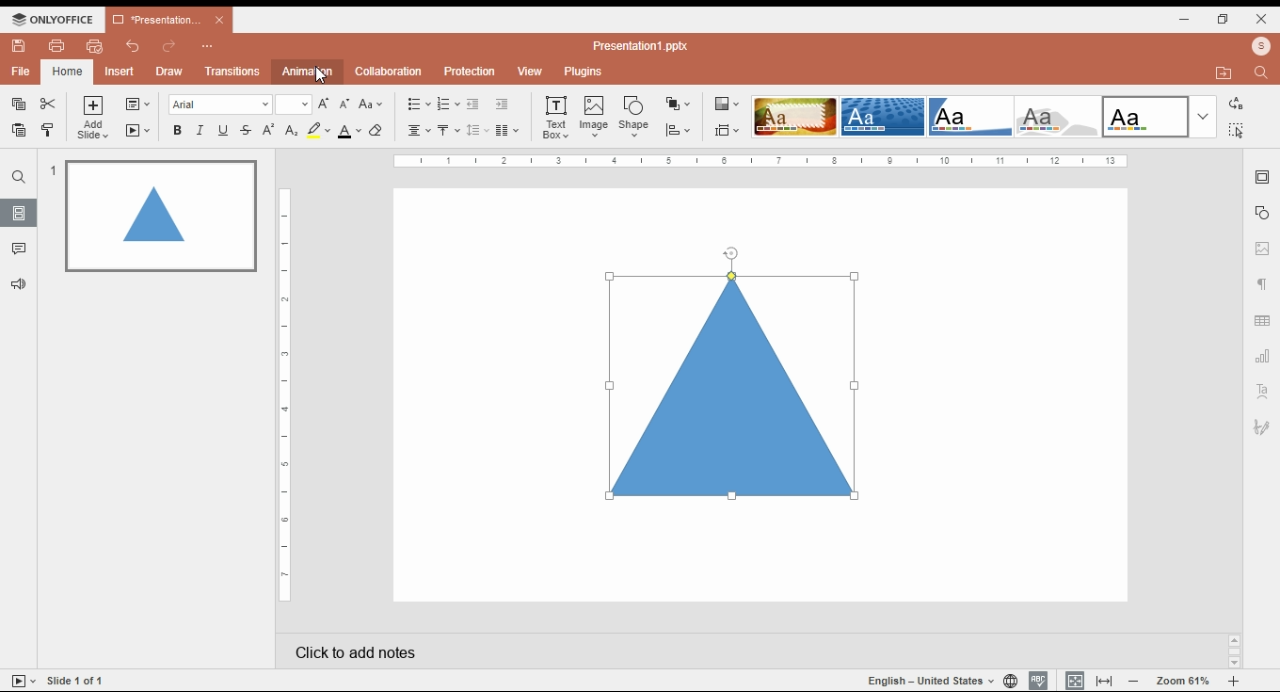 The image size is (1280, 692). Describe the element at coordinates (78, 680) in the screenshot. I see `slide ` at that location.